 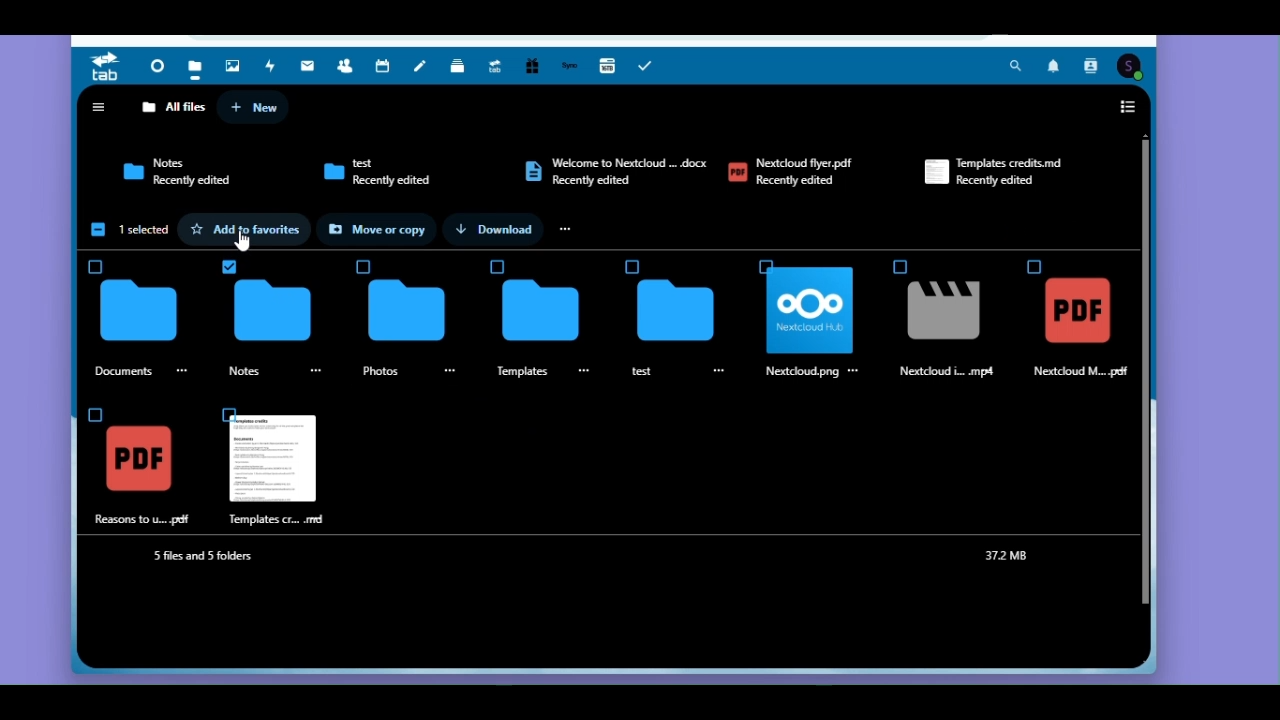 I want to click on Notes, so click(x=176, y=161).